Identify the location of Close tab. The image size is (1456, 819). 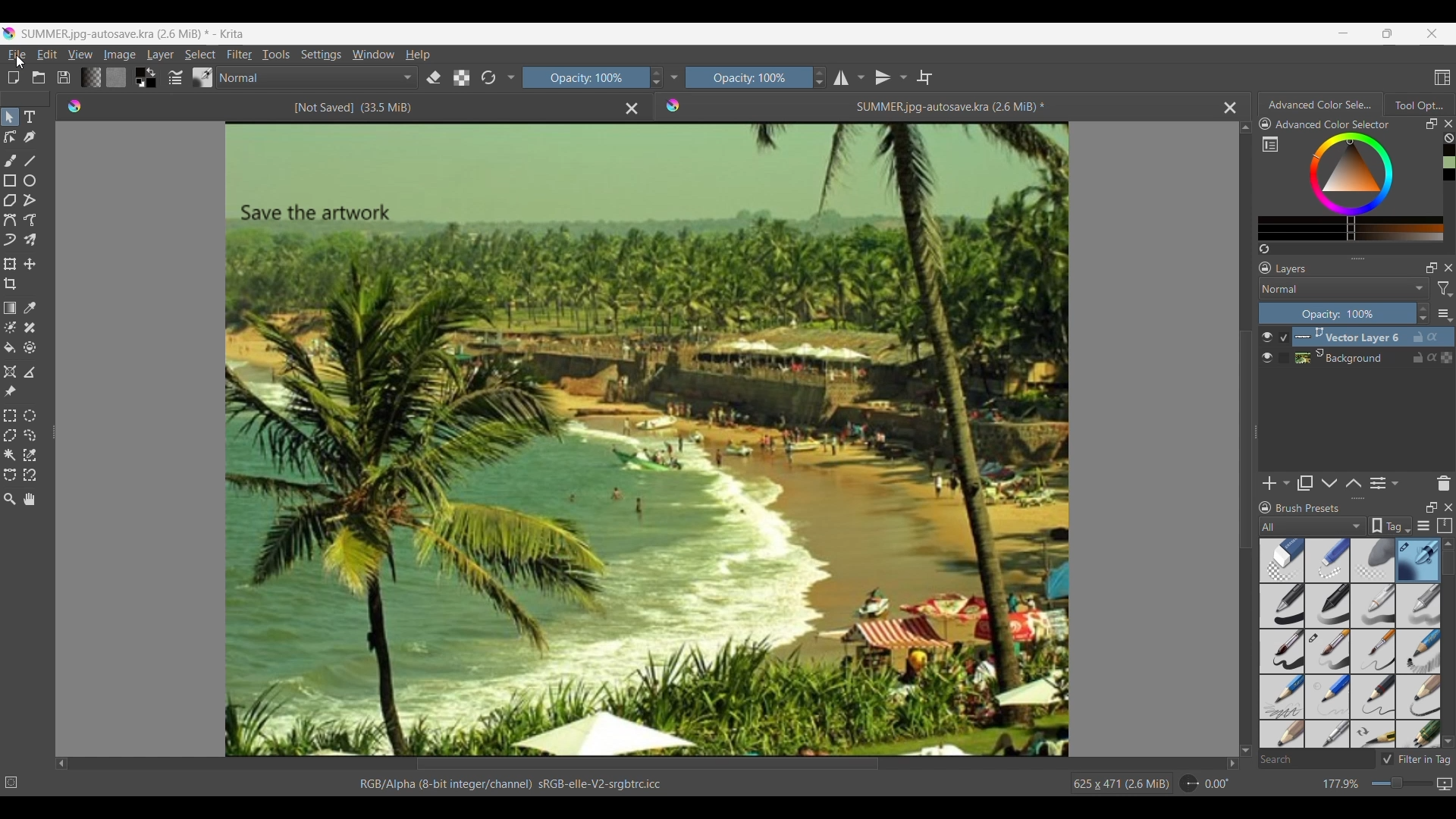
(1448, 124).